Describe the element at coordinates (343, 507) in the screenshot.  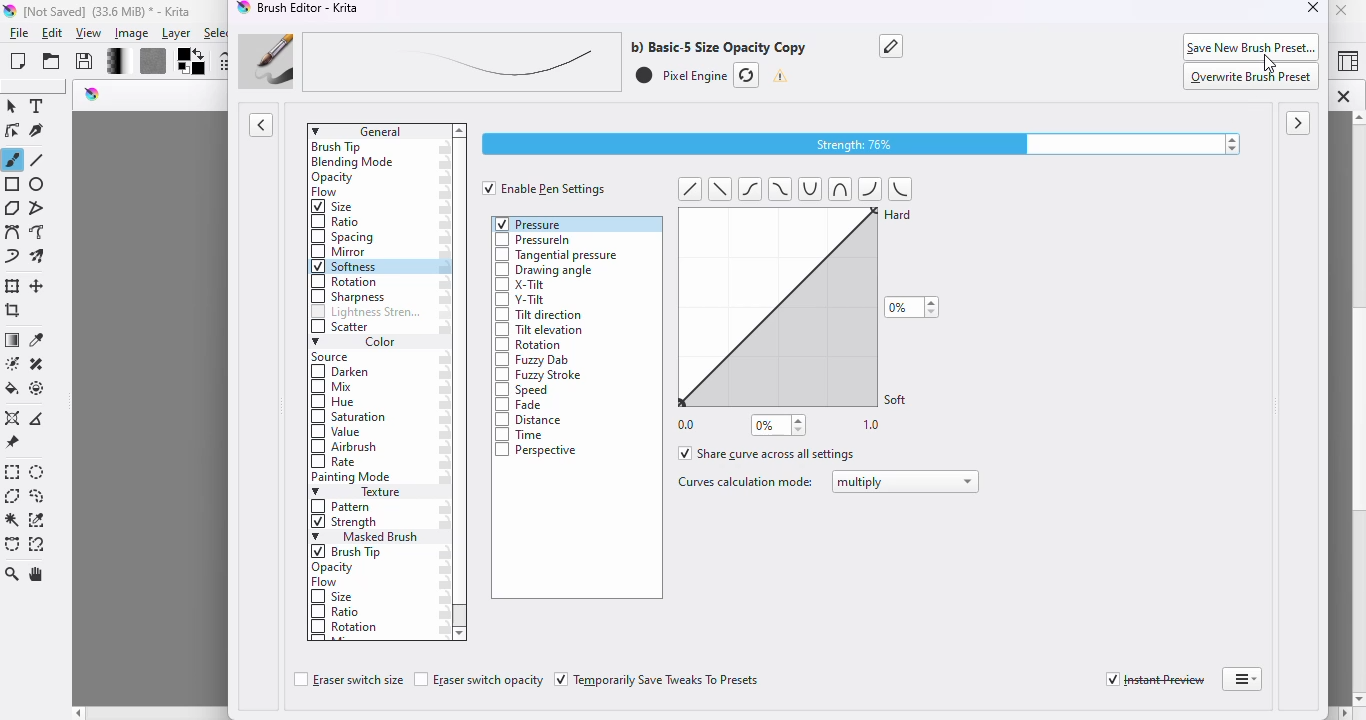
I see `pattern` at that location.